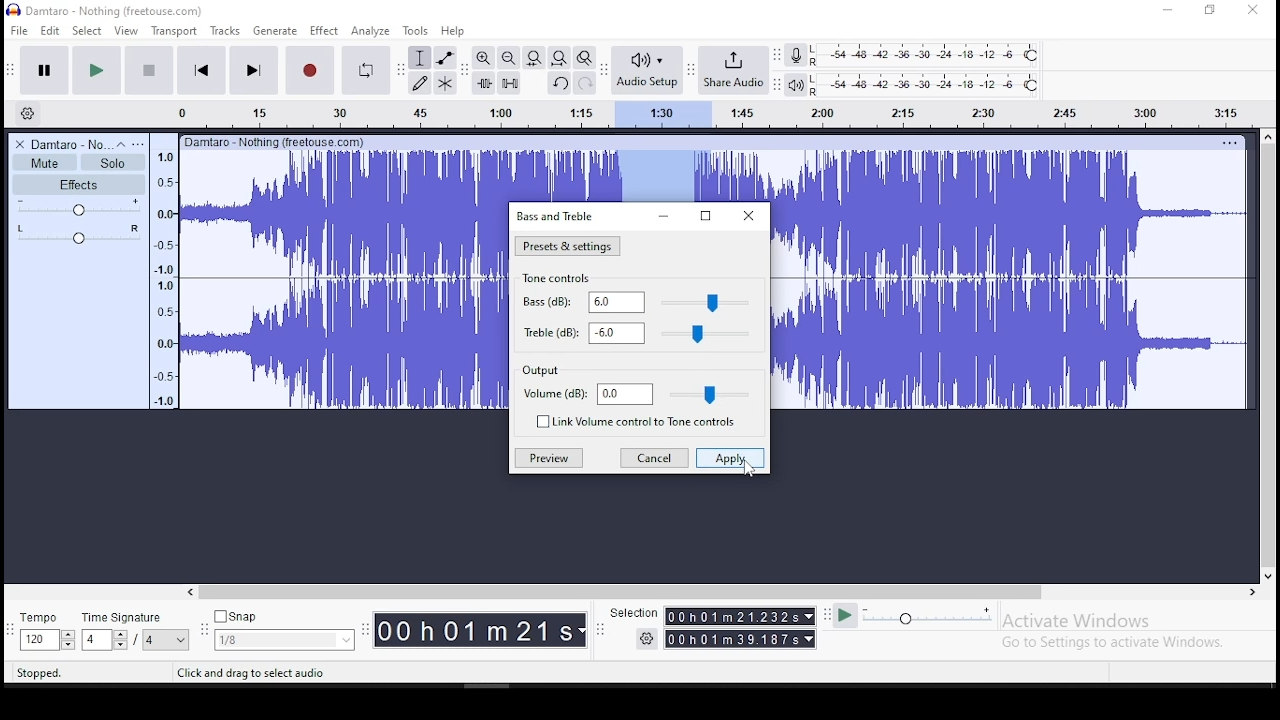 This screenshot has height=720, width=1280. What do you see at coordinates (67, 640) in the screenshot?
I see `drop down` at bounding box center [67, 640].